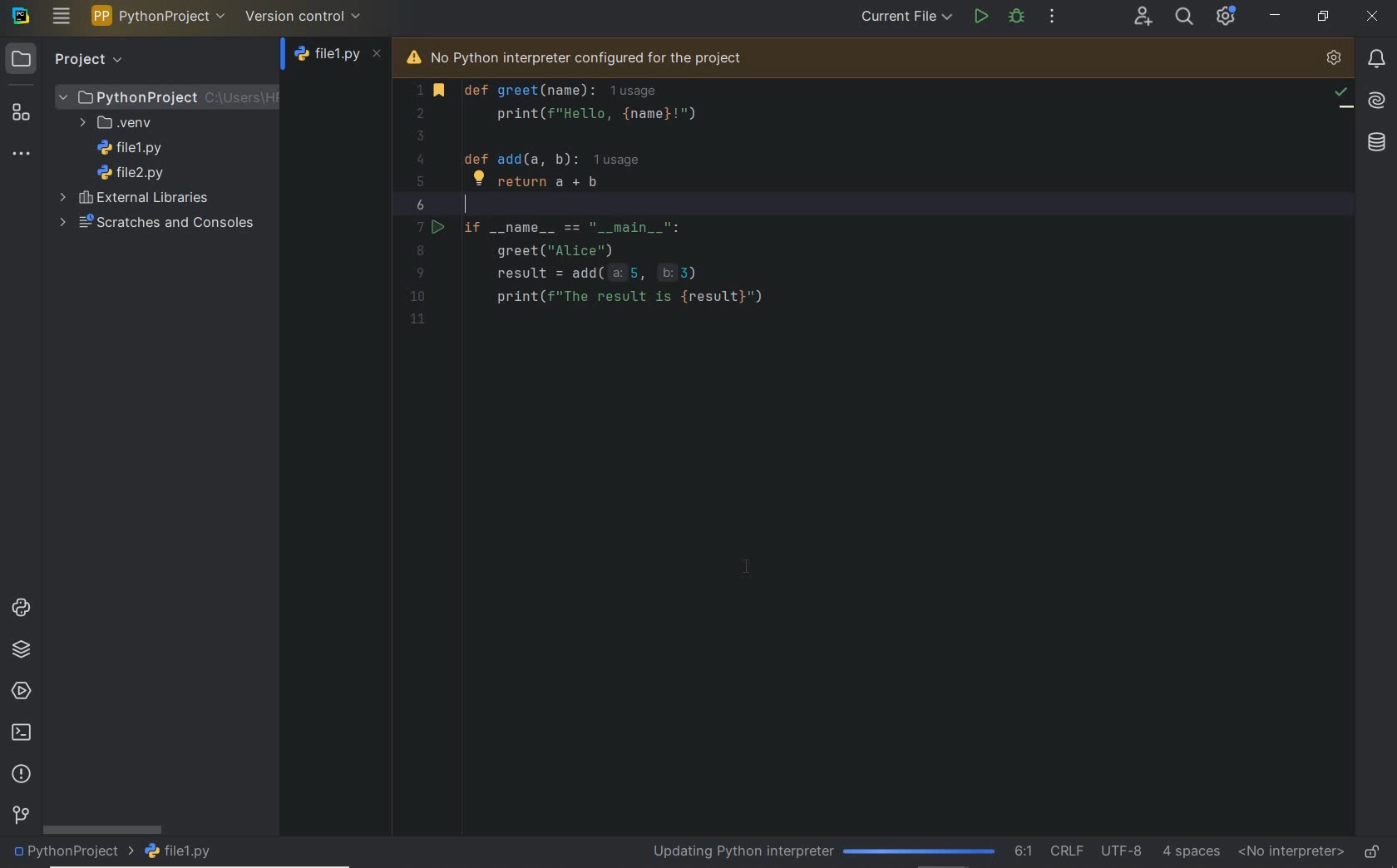  Describe the element at coordinates (62, 16) in the screenshot. I see `main menu` at that location.